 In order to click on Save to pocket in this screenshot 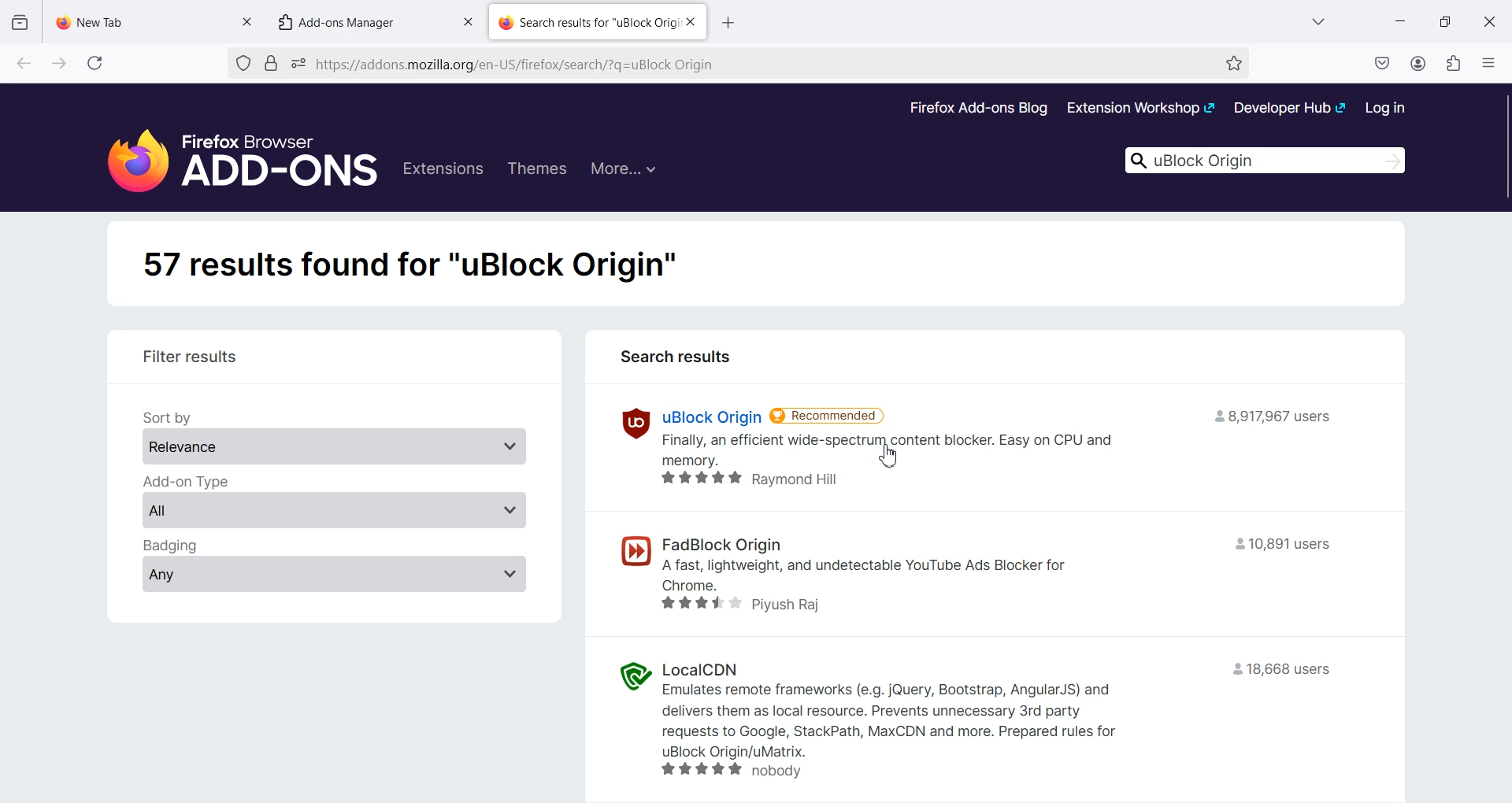, I will do `click(1383, 63)`.